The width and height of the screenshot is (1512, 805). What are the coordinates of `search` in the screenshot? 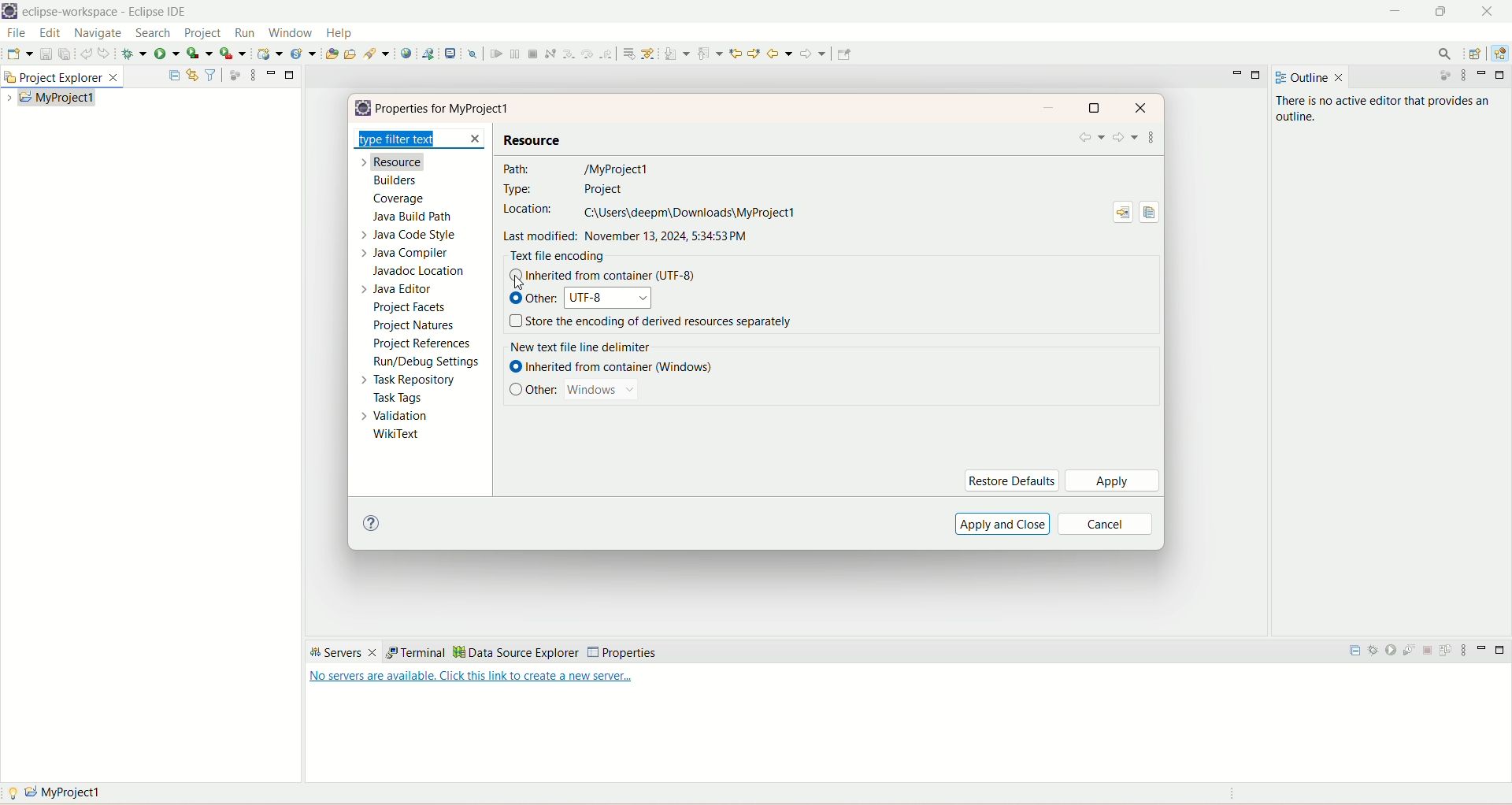 It's located at (379, 54).